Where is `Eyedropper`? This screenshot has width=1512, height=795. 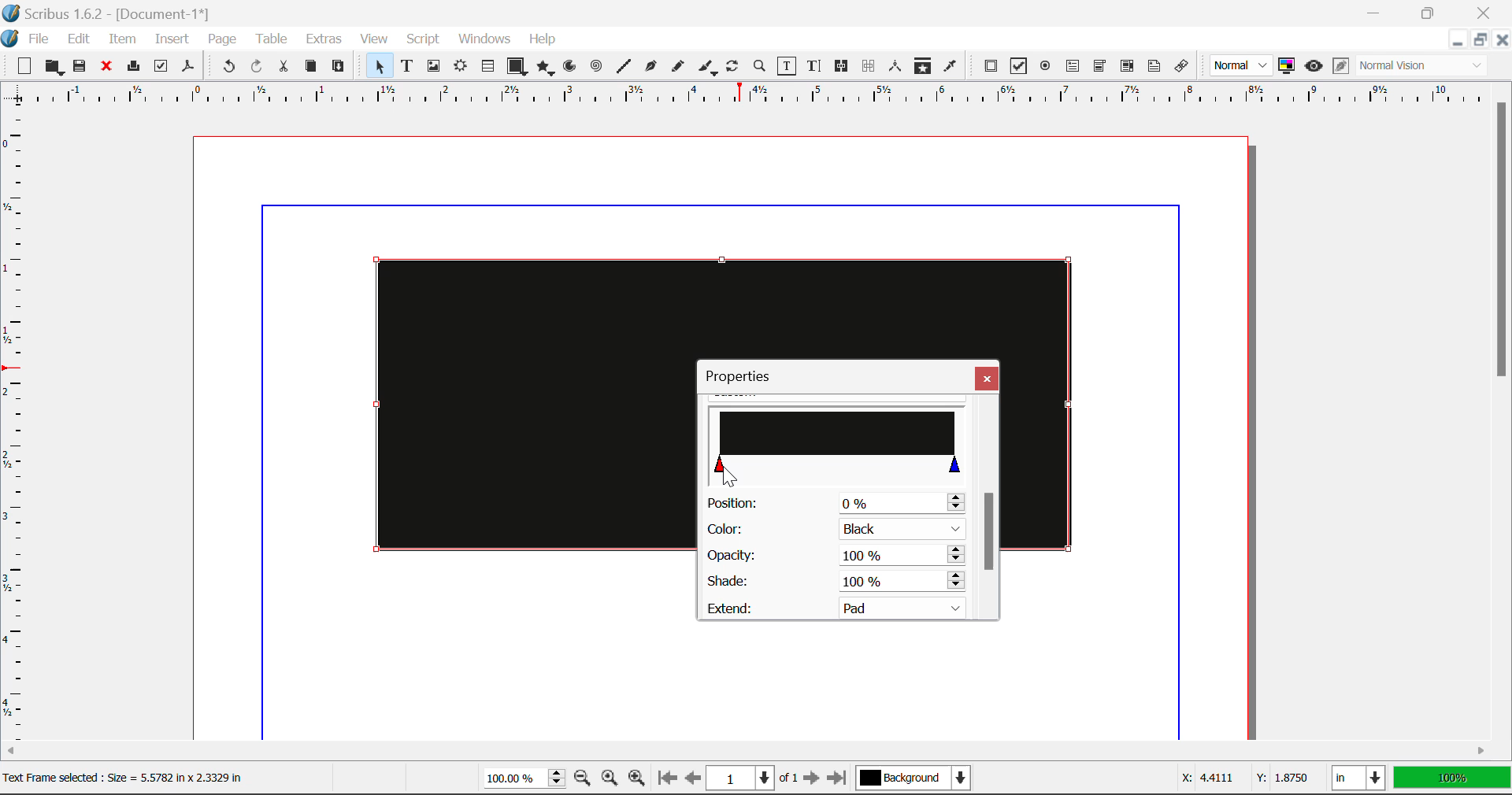 Eyedropper is located at coordinates (950, 68).